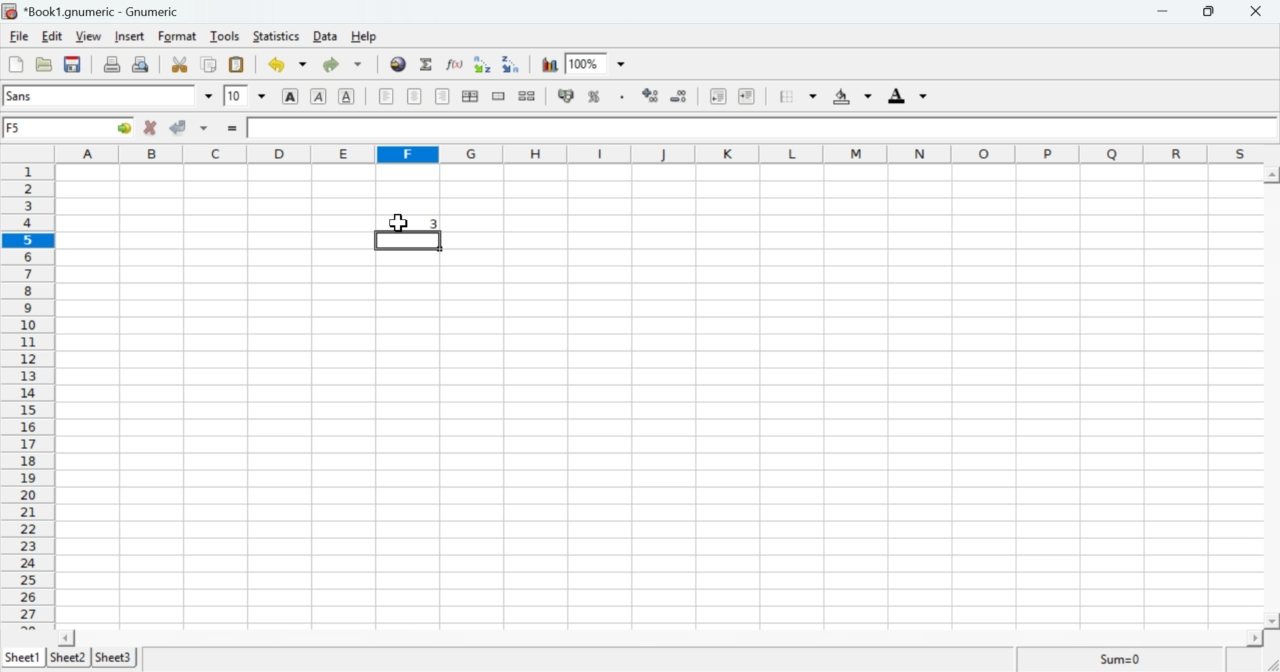 The width and height of the screenshot is (1280, 672). Describe the element at coordinates (594, 96) in the screenshot. I see `Format the selection as percentage` at that location.